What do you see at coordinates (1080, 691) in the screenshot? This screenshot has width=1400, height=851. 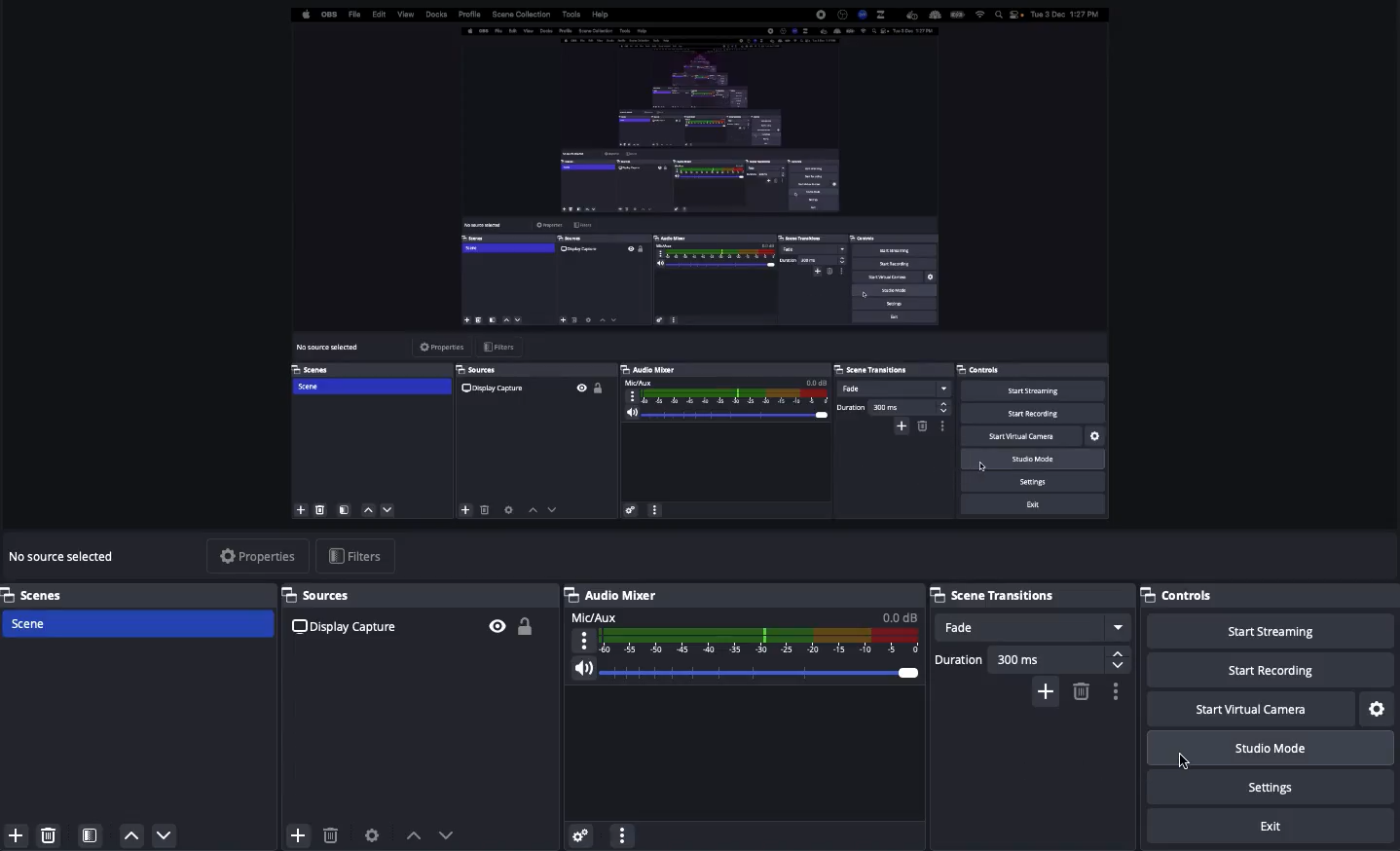 I see `Delete` at bounding box center [1080, 691].